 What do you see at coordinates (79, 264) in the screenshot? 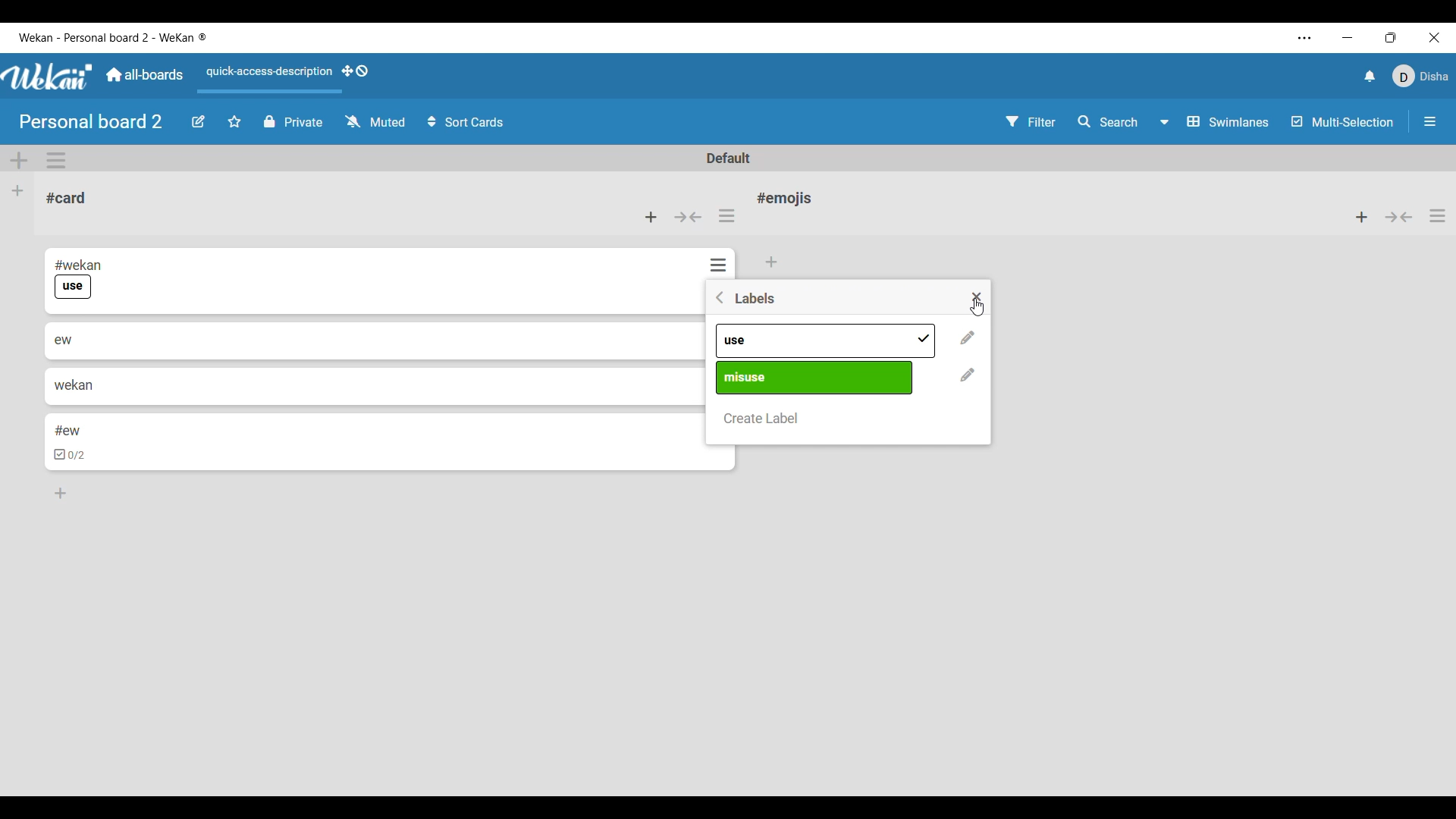
I see `#wekan` at bounding box center [79, 264].